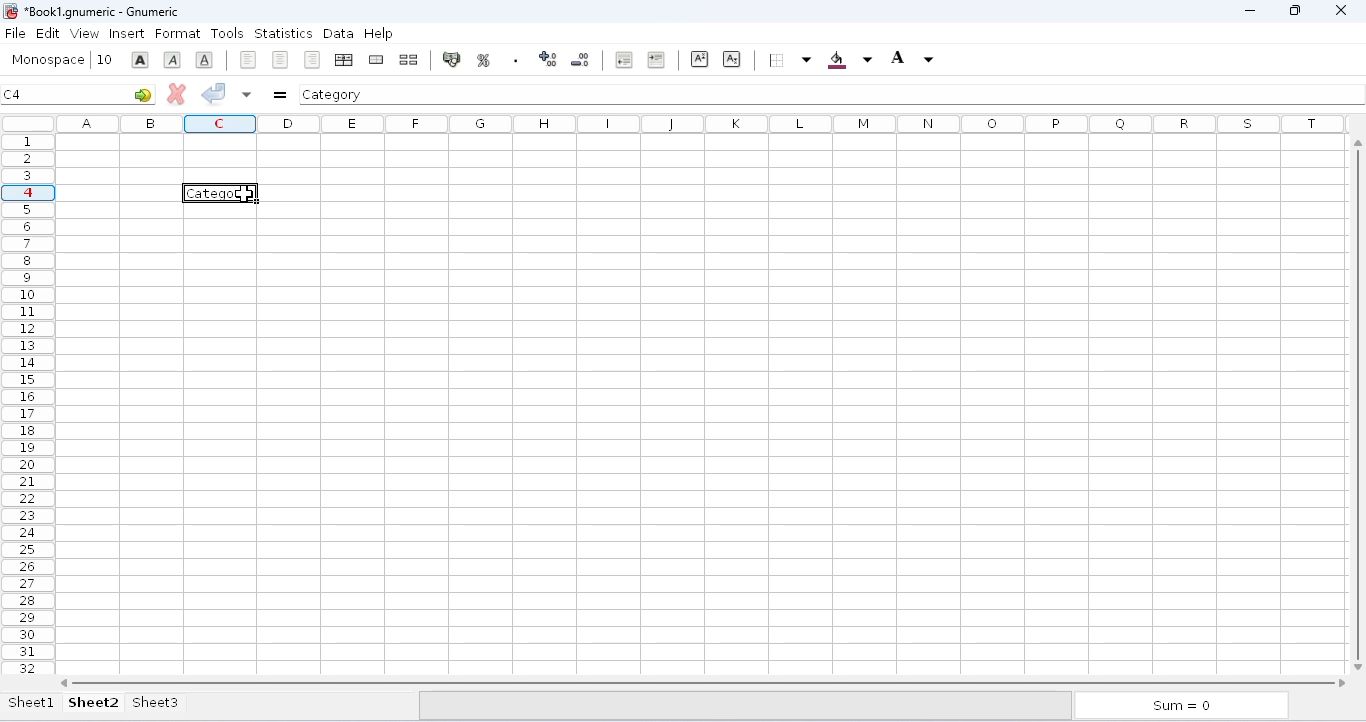 This screenshot has width=1366, height=722. I want to click on subscript, so click(731, 58).